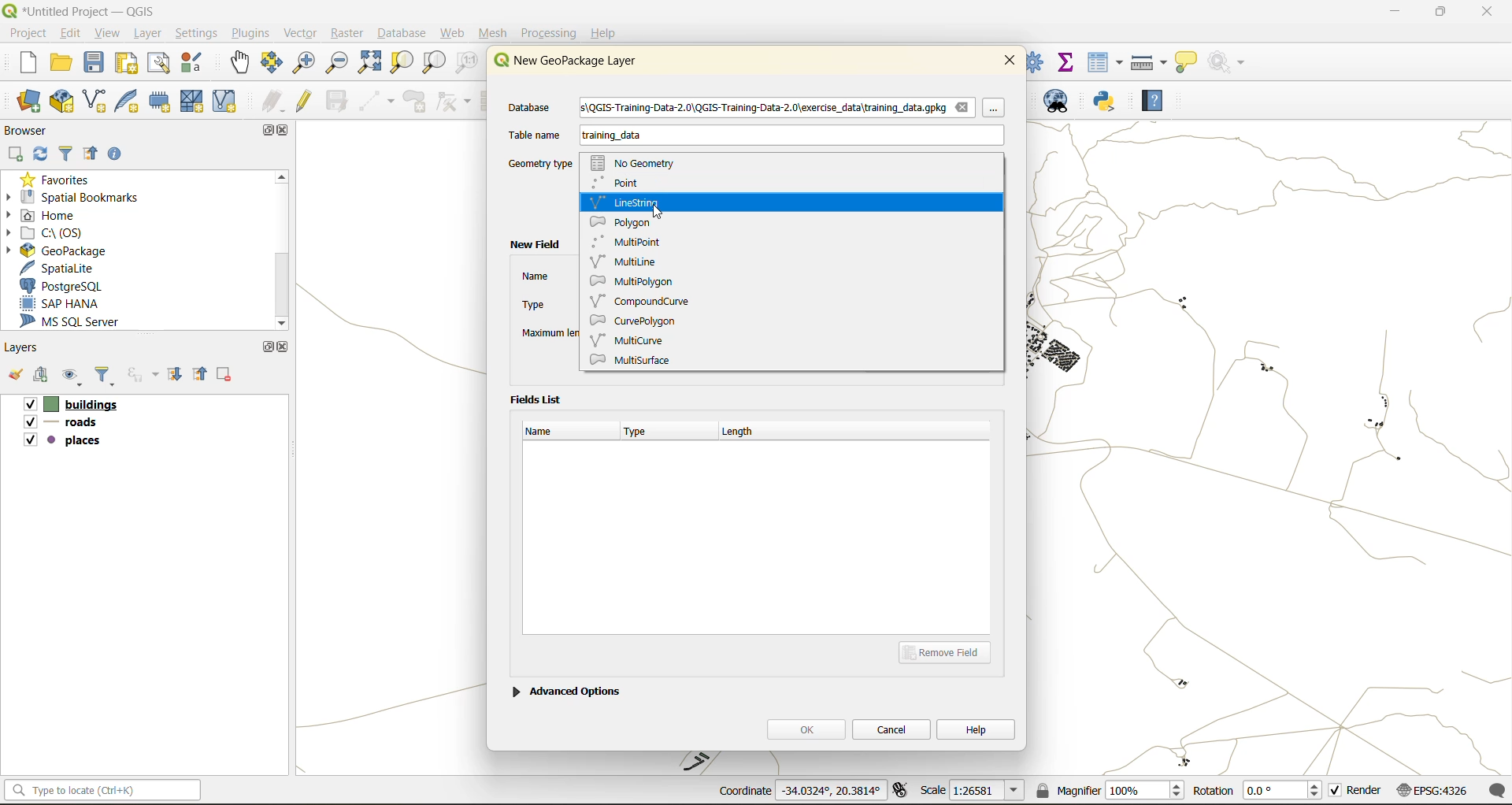 The width and height of the screenshot is (1512, 805). What do you see at coordinates (108, 377) in the screenshot?
I see `filter` at bounding box center [108, 377].